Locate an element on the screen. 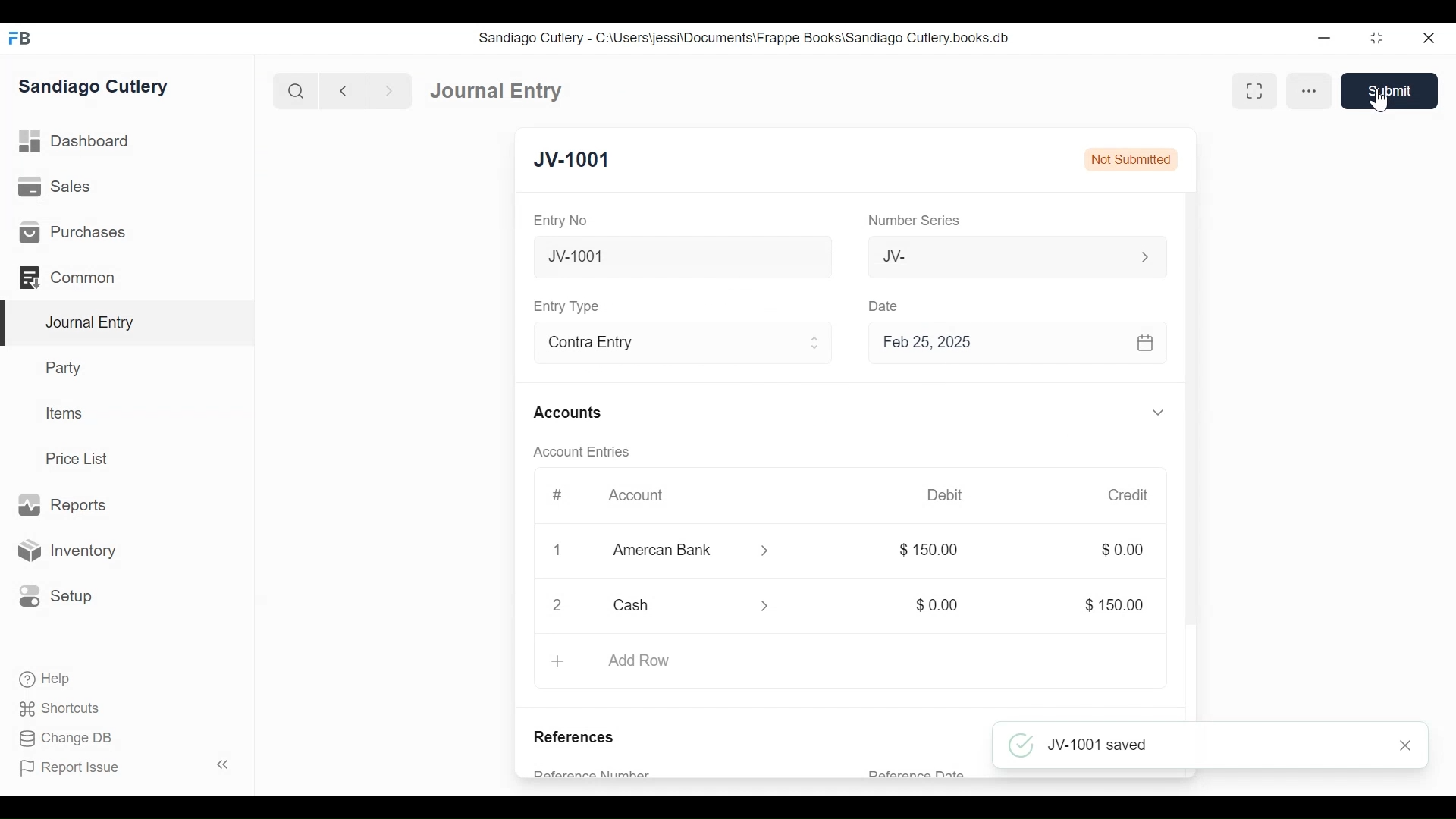  Cash is located at coordinates (675, 605).